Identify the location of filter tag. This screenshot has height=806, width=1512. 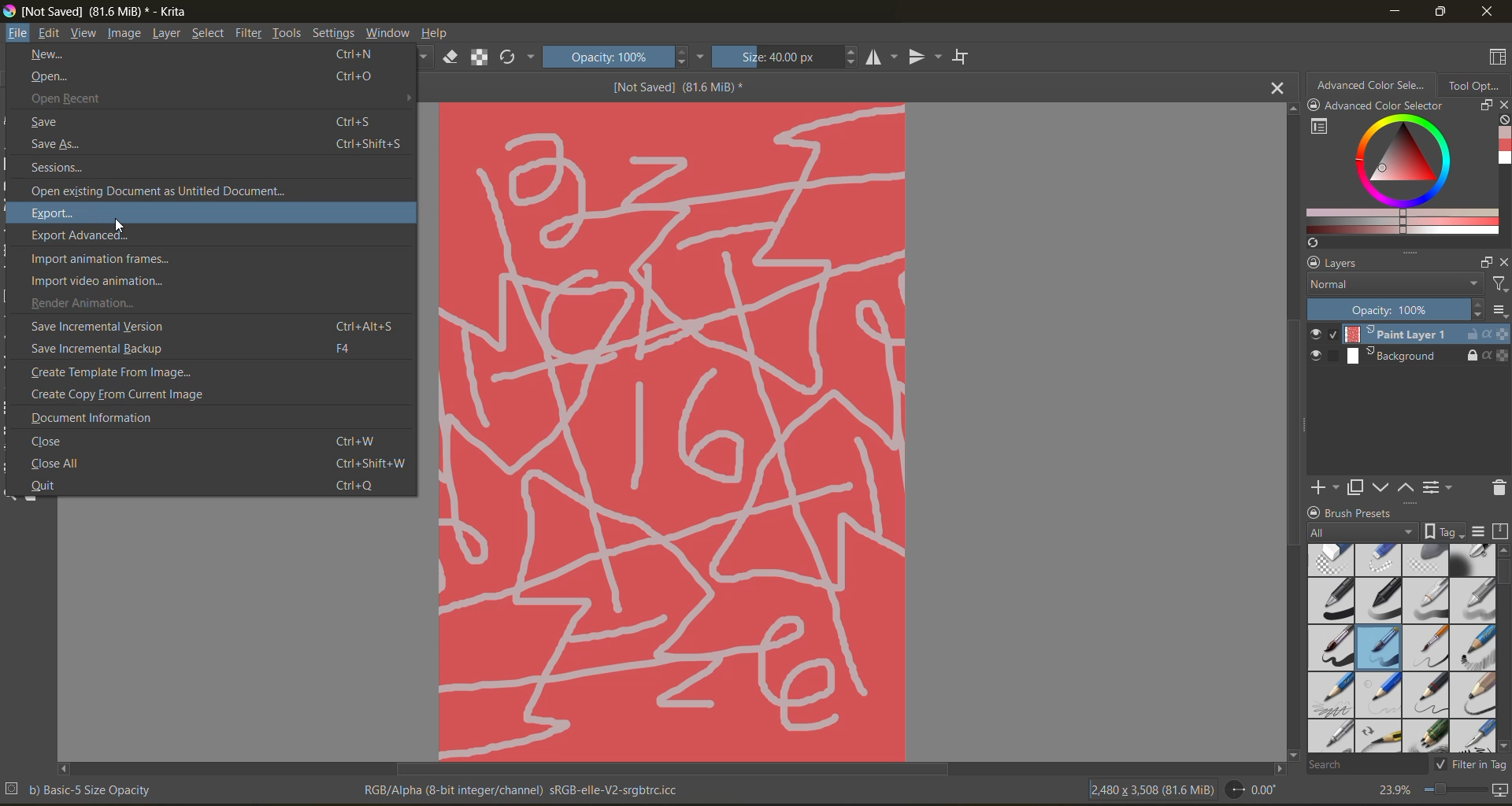
(1468, 763).